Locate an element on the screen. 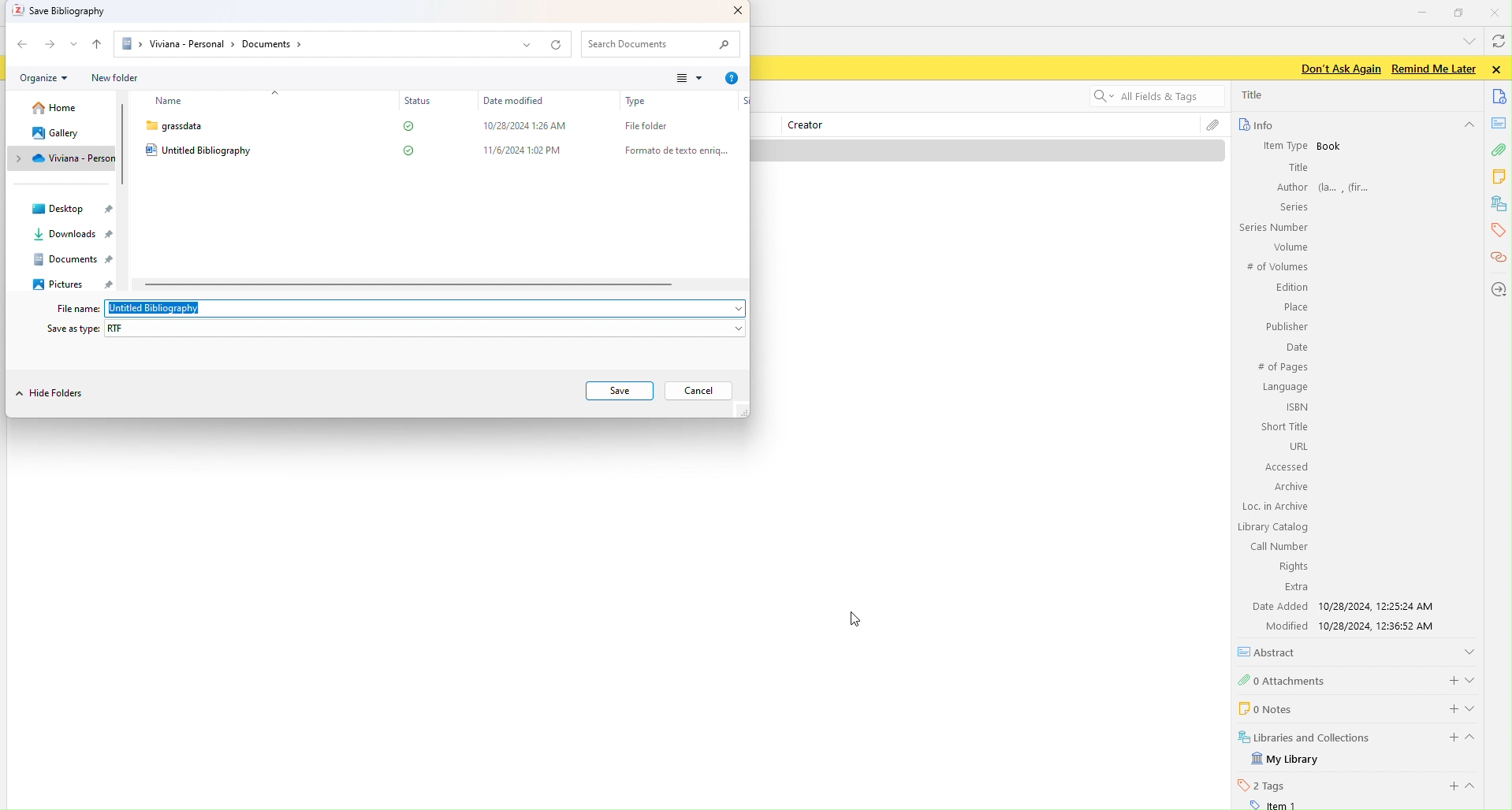  Series Number is located at coordinates (1272, 228).